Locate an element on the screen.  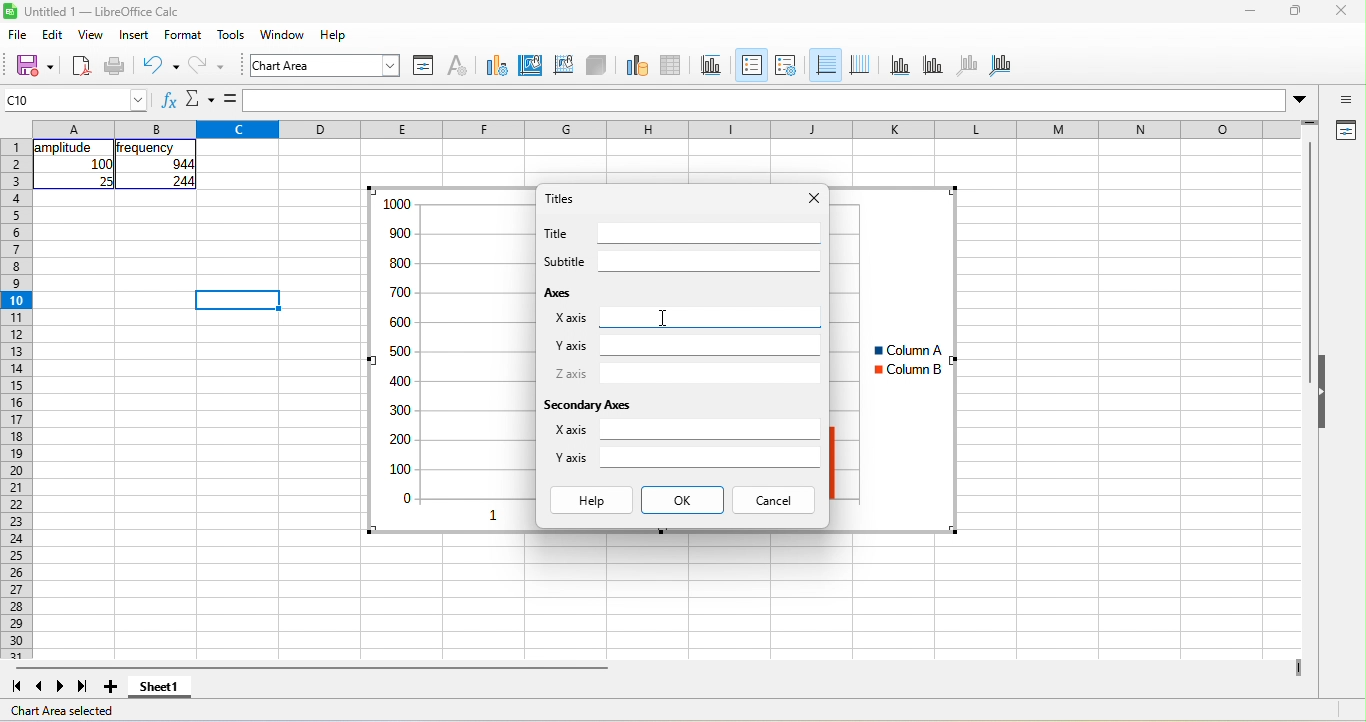
window is located at coordinates (283, 34).